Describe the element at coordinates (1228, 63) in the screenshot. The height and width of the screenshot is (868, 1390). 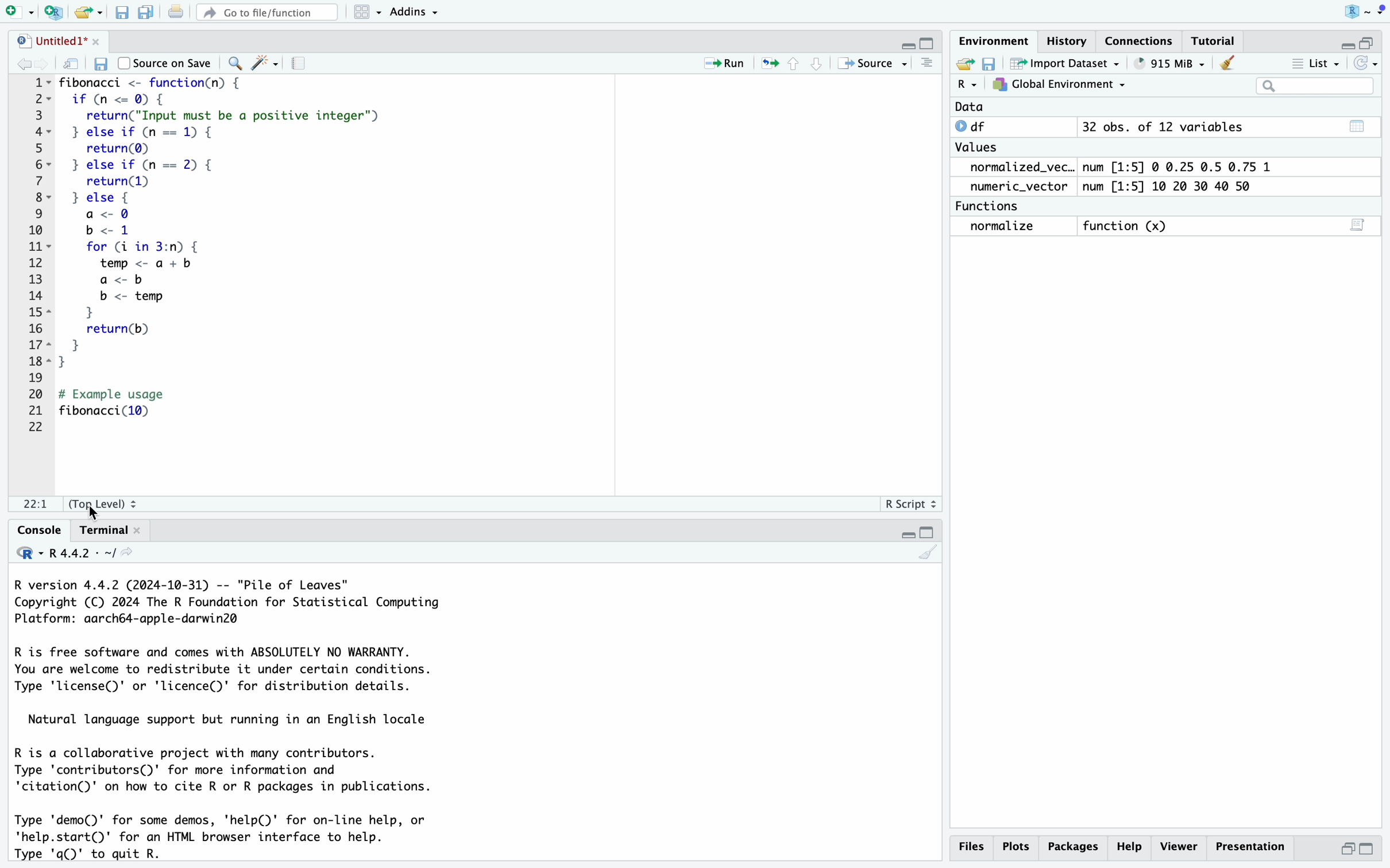
I see `clear objects from the workspace` at that location.